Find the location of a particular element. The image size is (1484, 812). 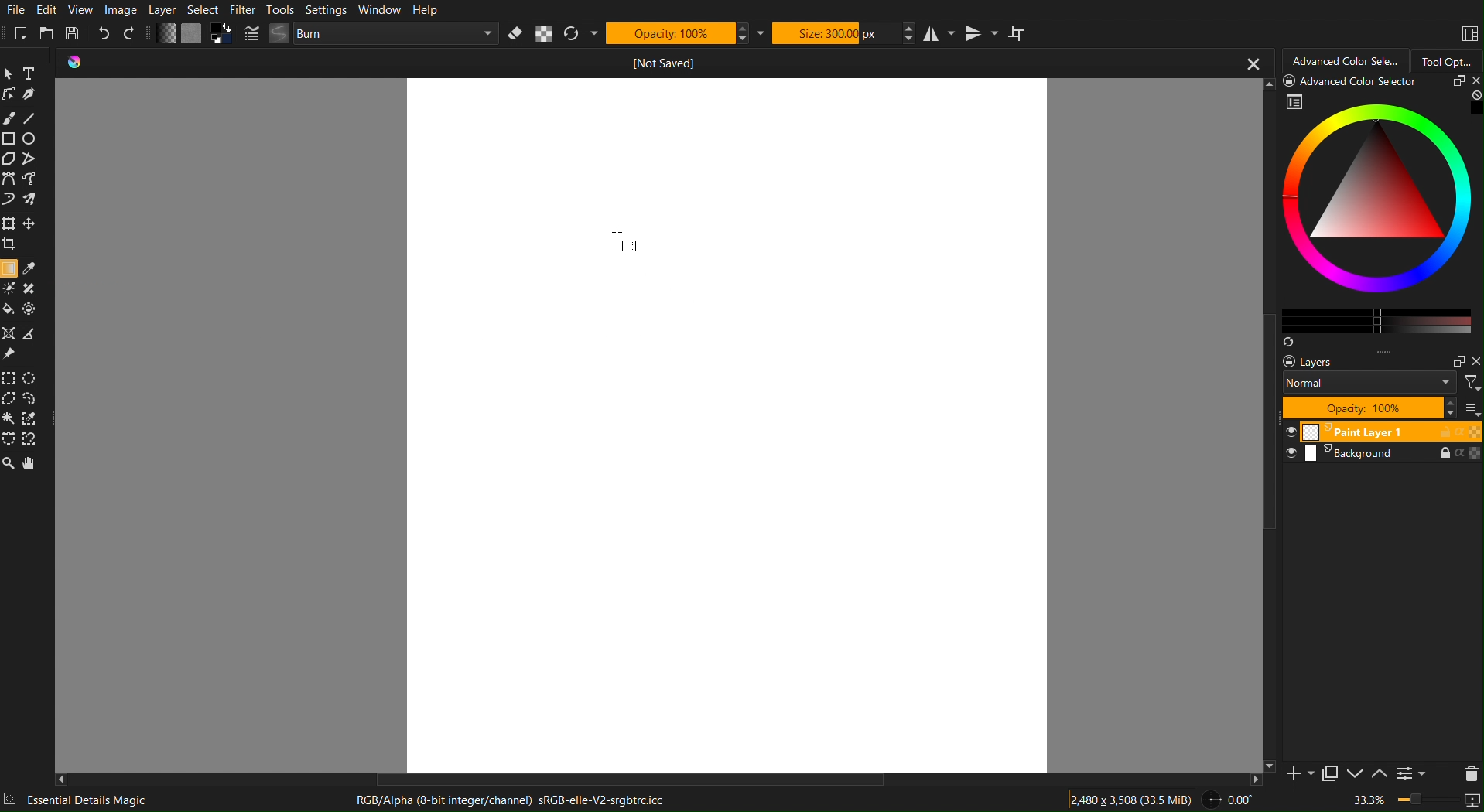

Size is located at coordinates (834, 32).